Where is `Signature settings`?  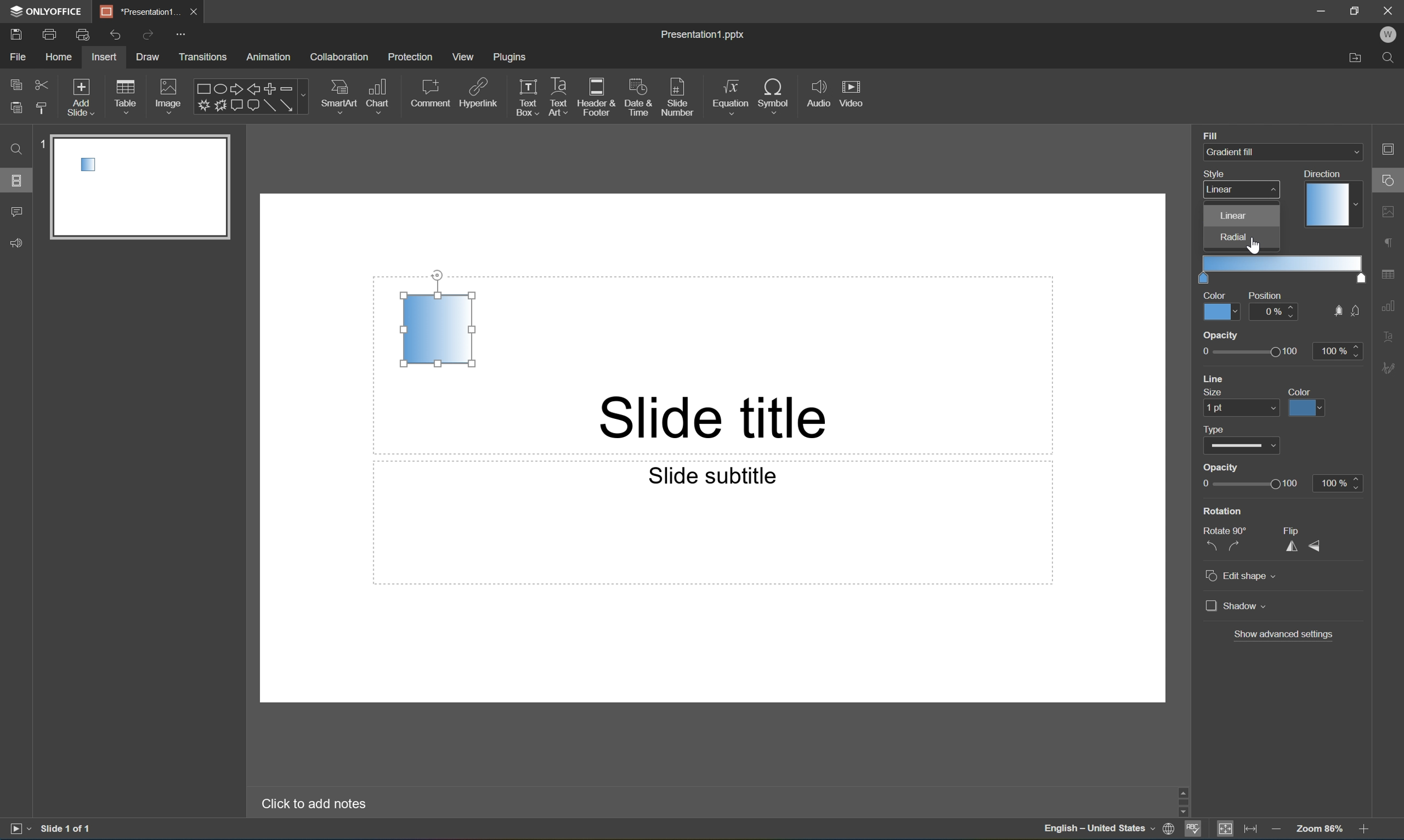 Signature settings is located at coordinates (1391, 368).